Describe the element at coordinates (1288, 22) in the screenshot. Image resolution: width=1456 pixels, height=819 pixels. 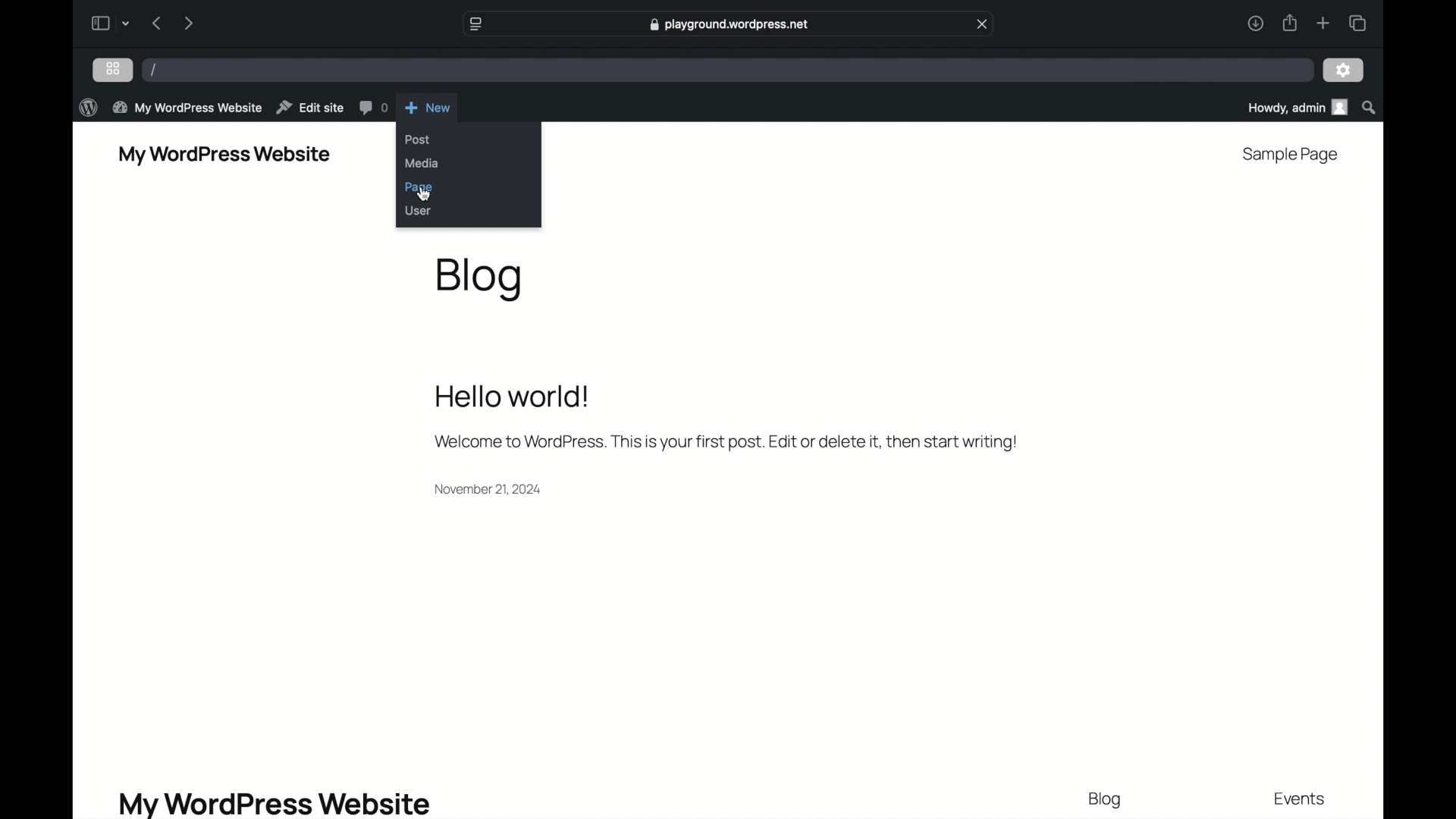
I see `share` at that location.